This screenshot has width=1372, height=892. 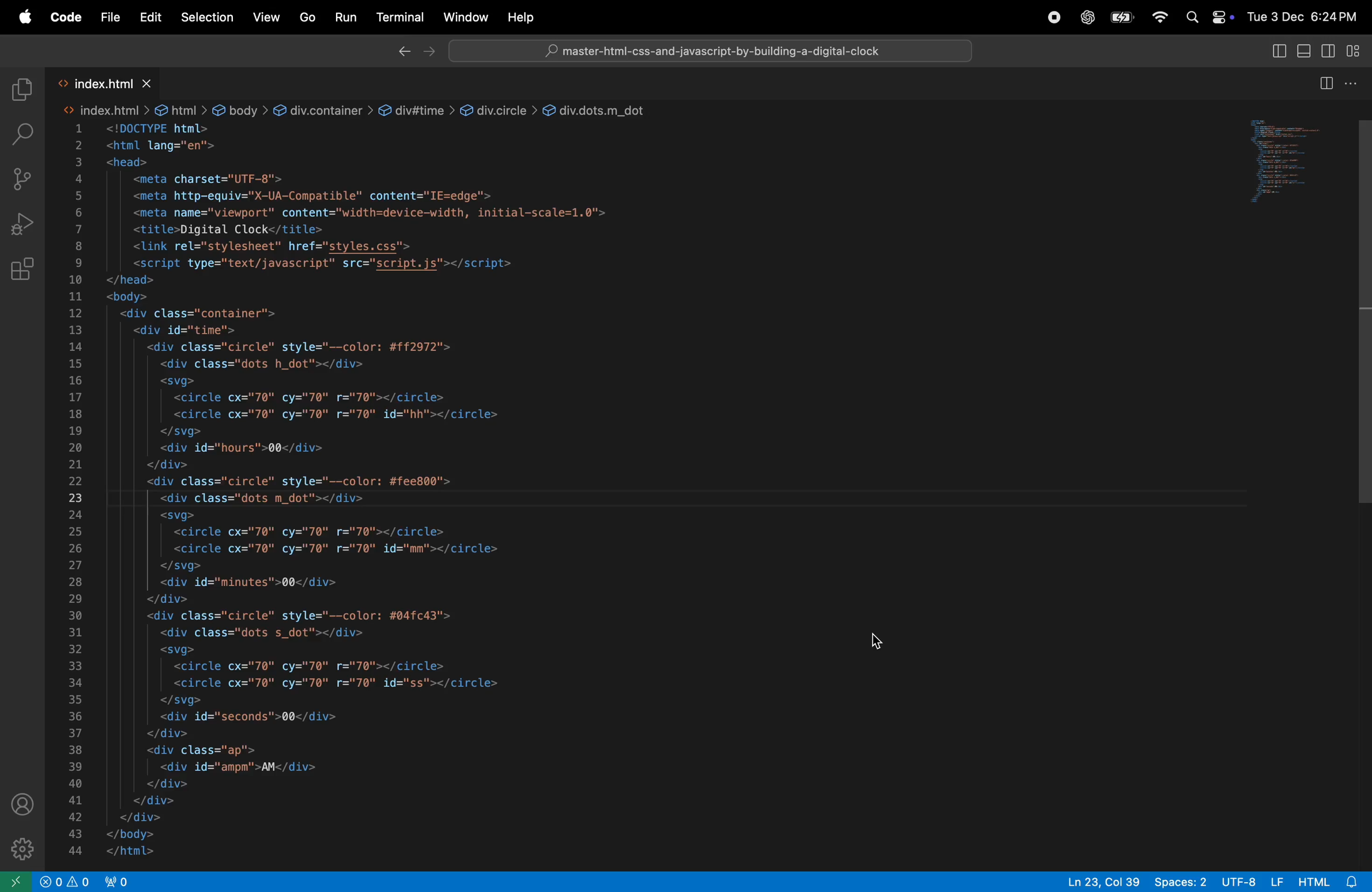 I want to click on div.container, so click(x=322, y=109).